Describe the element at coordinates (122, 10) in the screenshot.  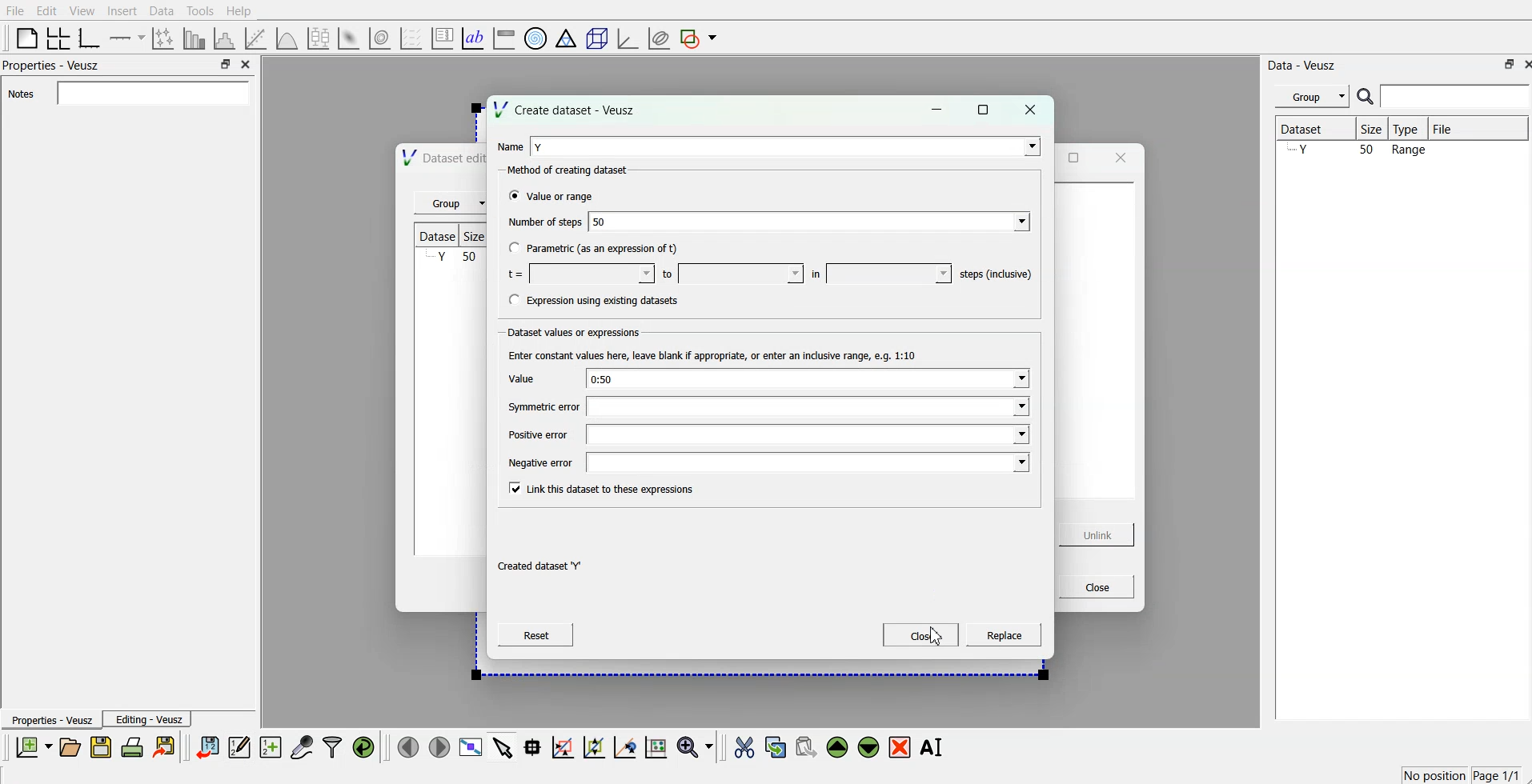
I see `Insert` at that location.